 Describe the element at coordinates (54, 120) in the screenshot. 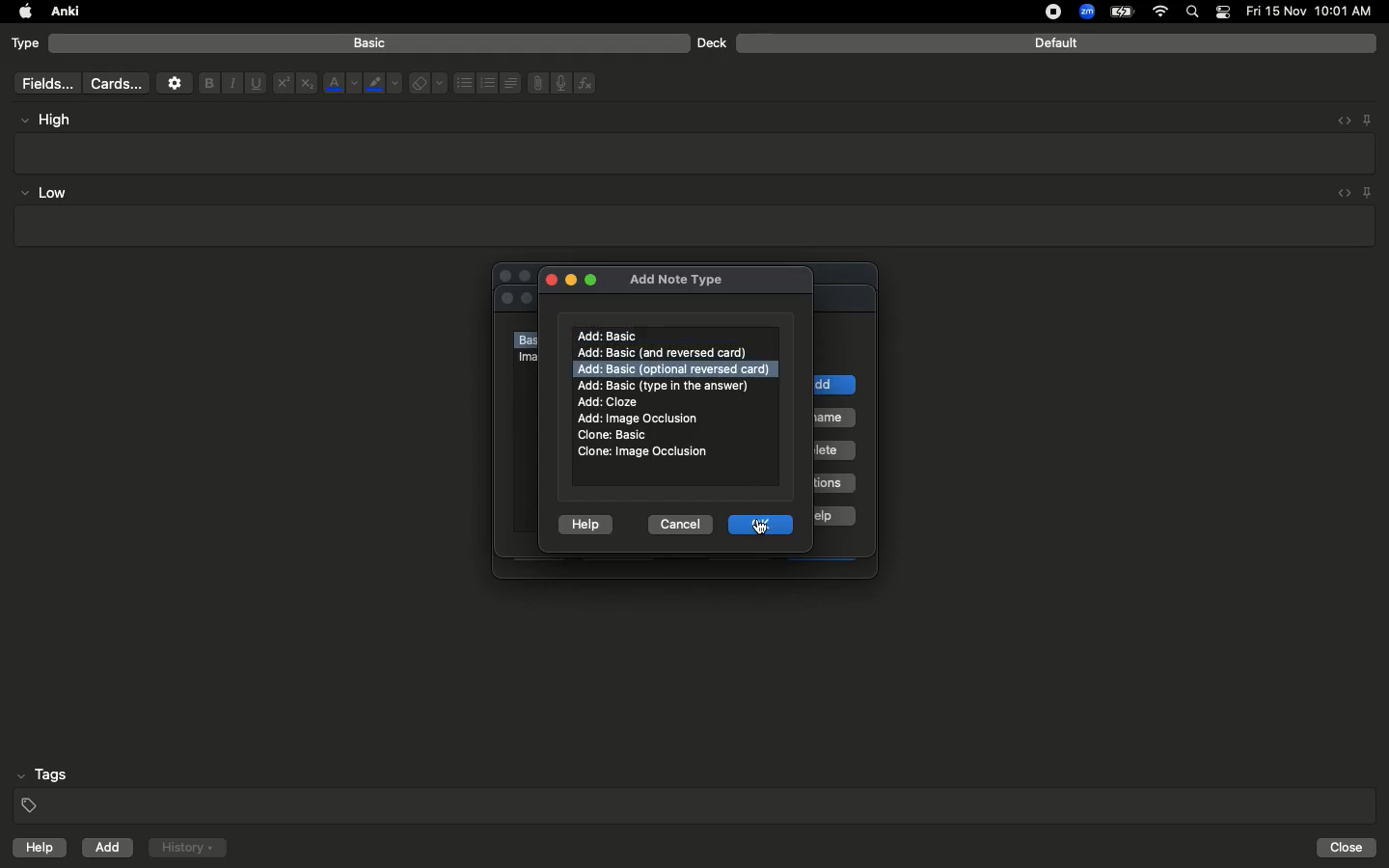

I see `High` at that location.